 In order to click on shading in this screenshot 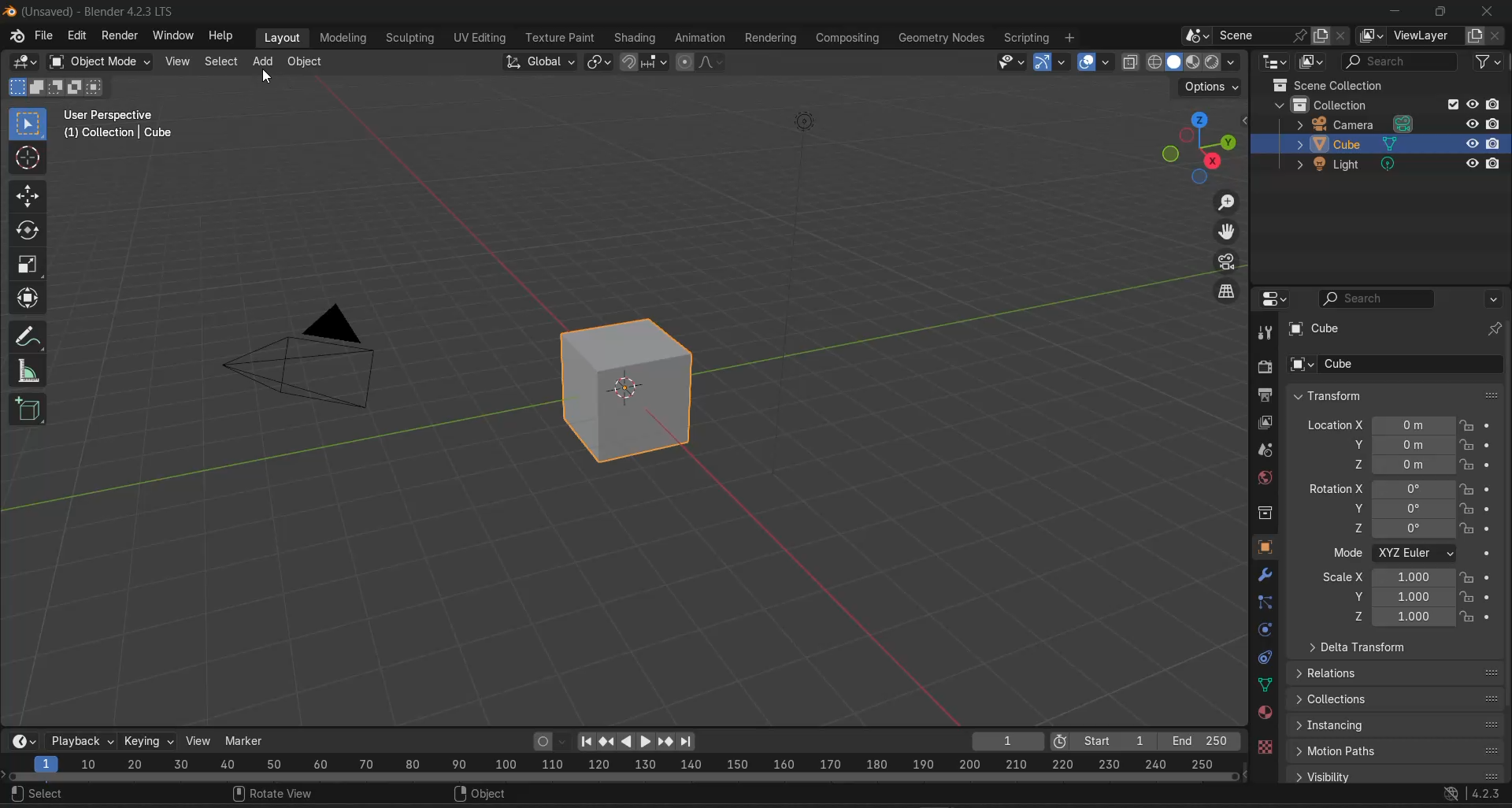, I will do `click(637, 37)`.